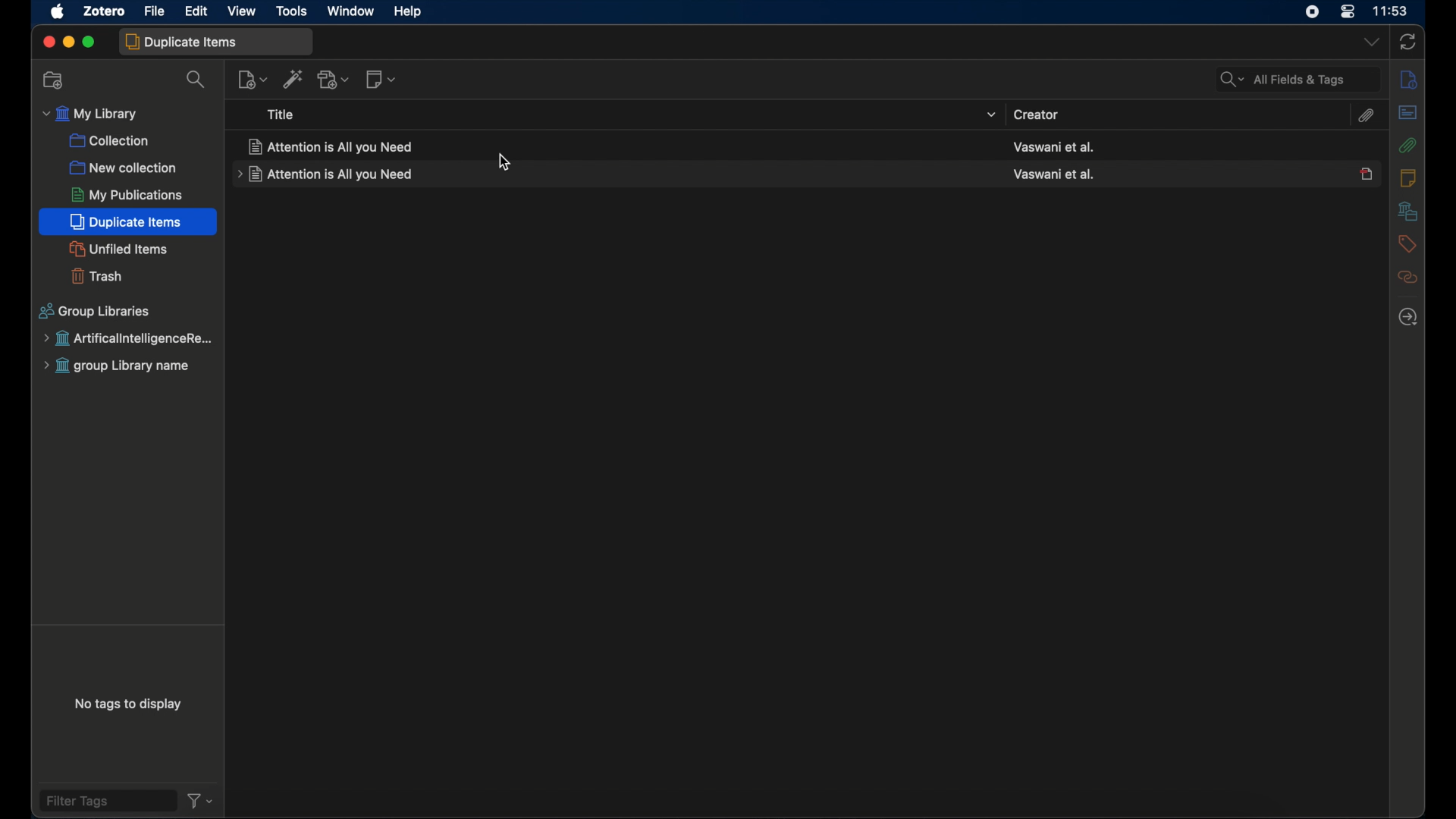  I want to click on search, so click(198, 81).